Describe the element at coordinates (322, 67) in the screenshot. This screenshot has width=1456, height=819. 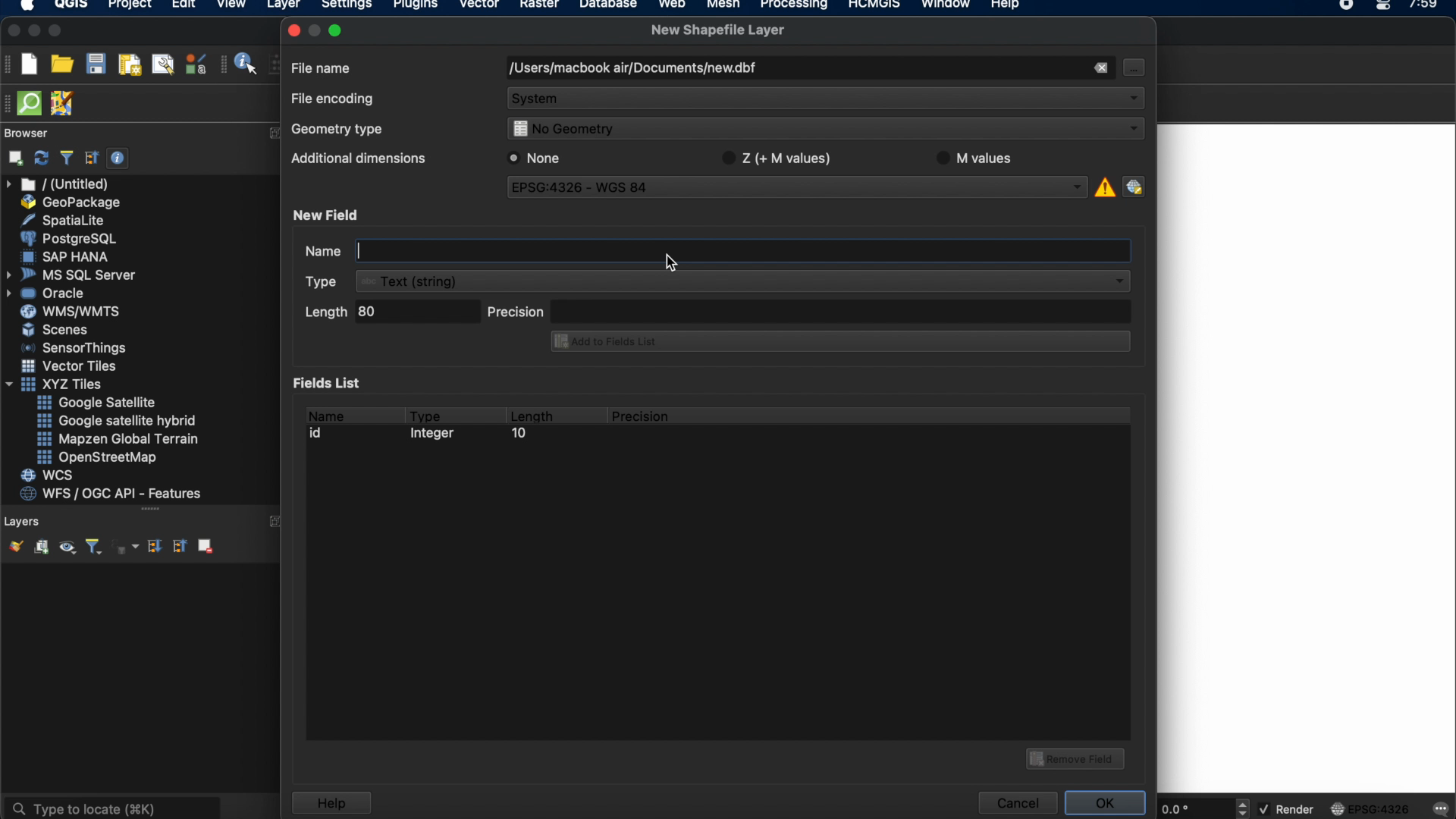
I see `file name` at that location.